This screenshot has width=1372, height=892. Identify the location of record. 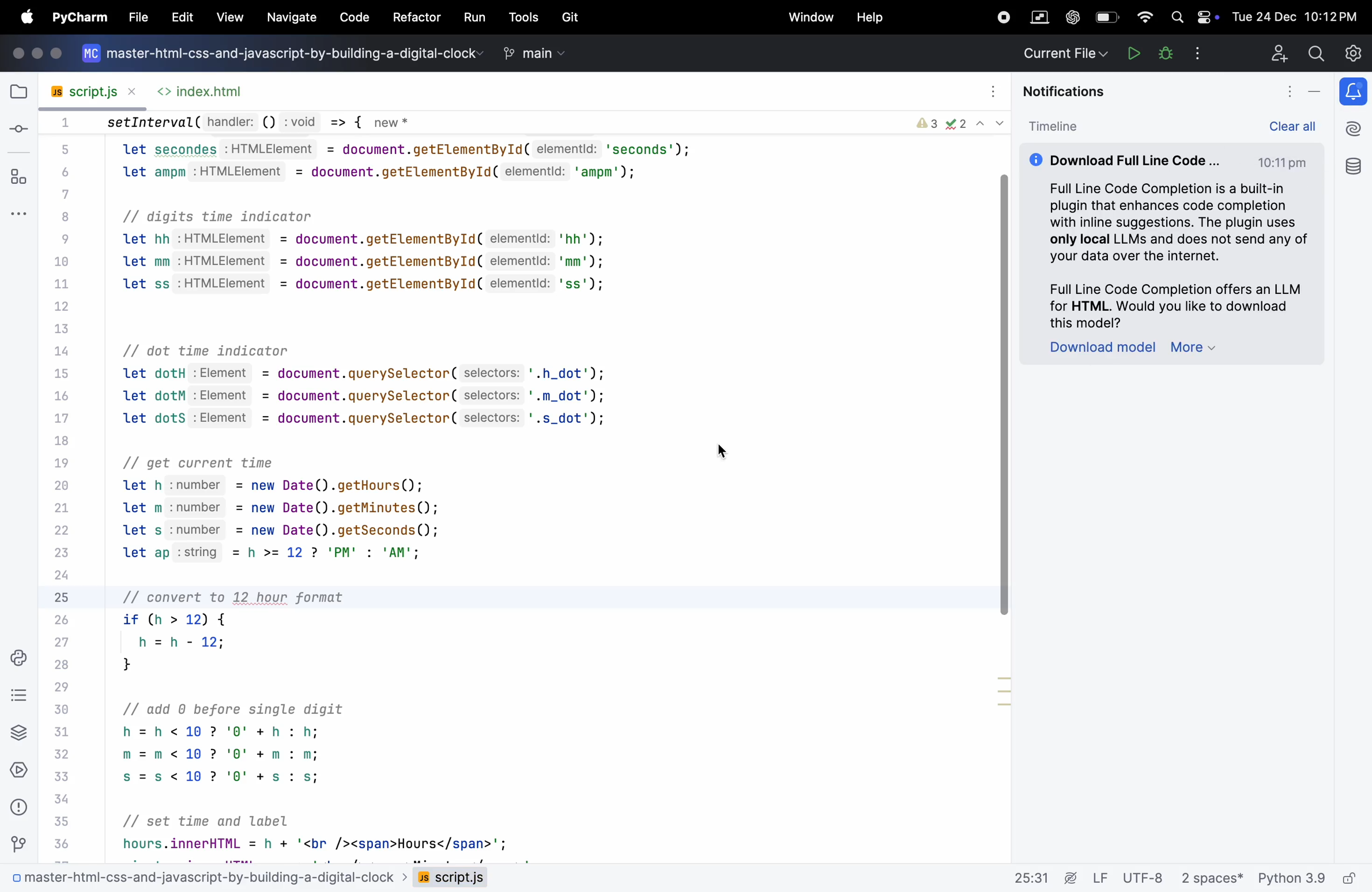
(1001, 17).